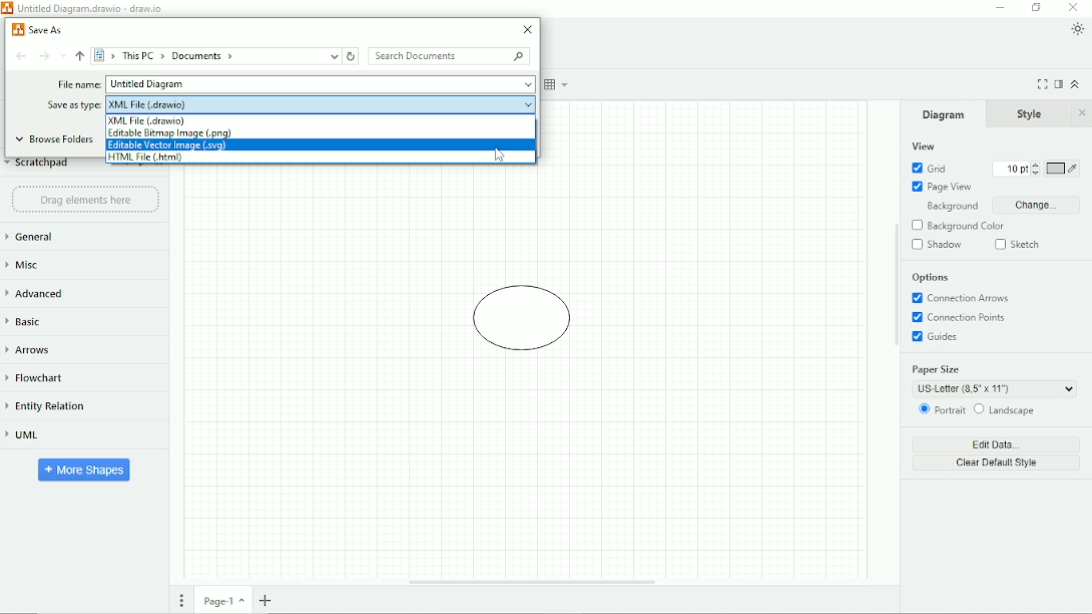 The width and height of the screenshot is (1092, 614). I want to click on Pages, so click(182, 602).